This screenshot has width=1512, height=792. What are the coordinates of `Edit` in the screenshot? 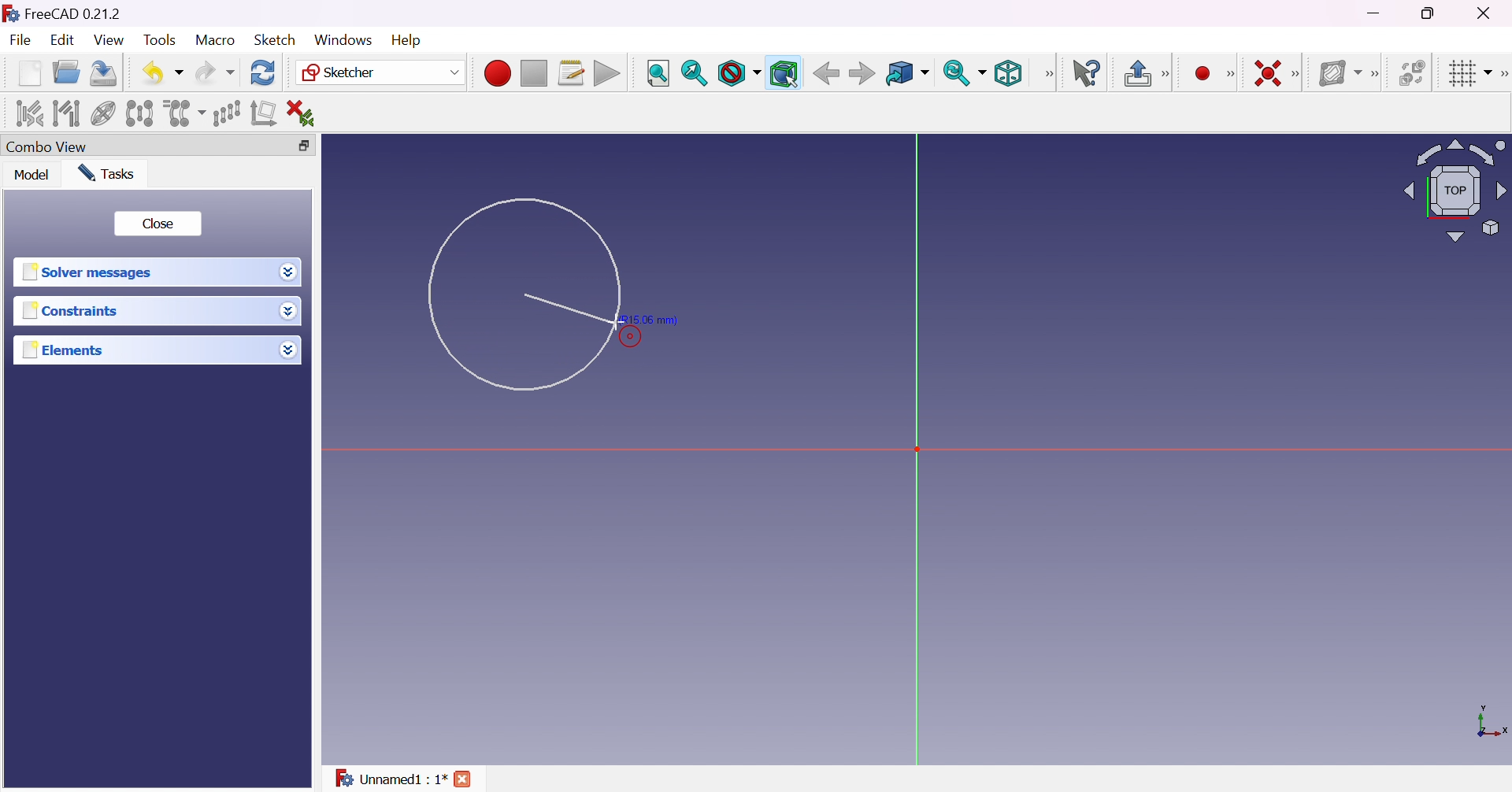 It's located at (64, 42).